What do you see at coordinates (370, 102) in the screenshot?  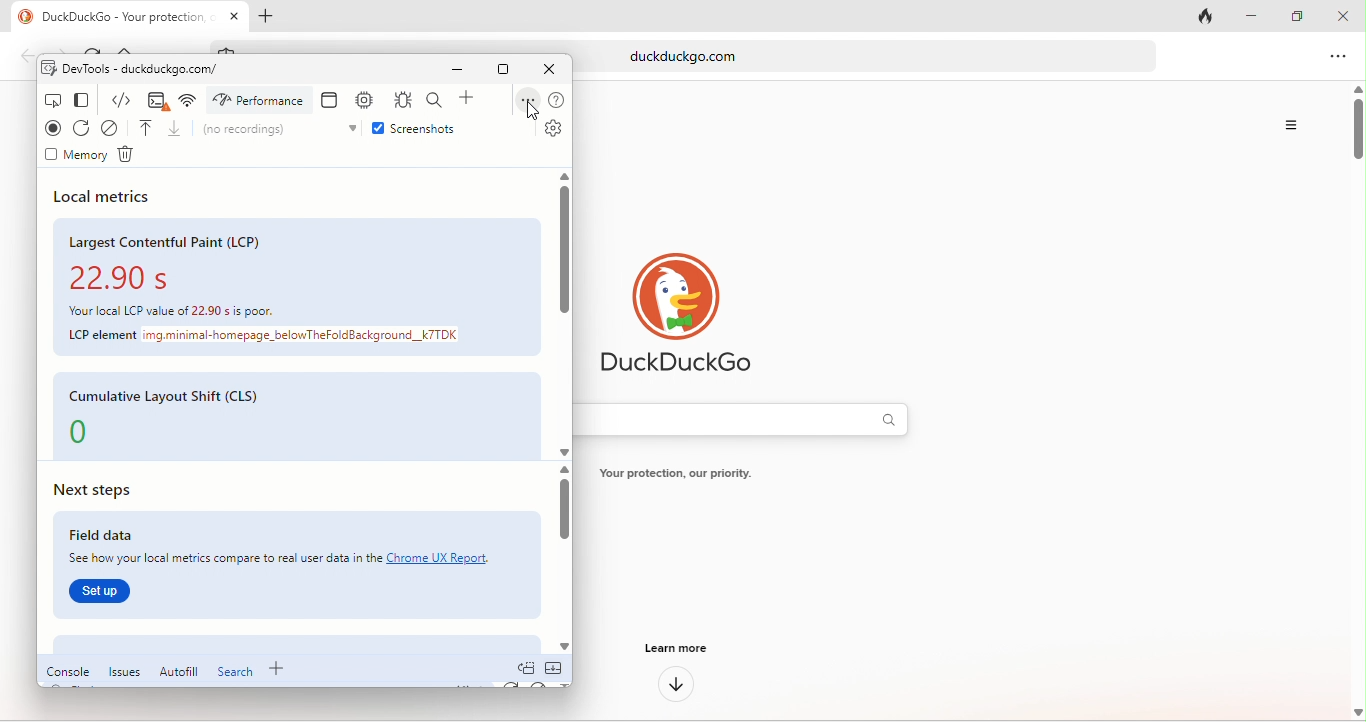 I see `memory` at bounding box center [370, 102].